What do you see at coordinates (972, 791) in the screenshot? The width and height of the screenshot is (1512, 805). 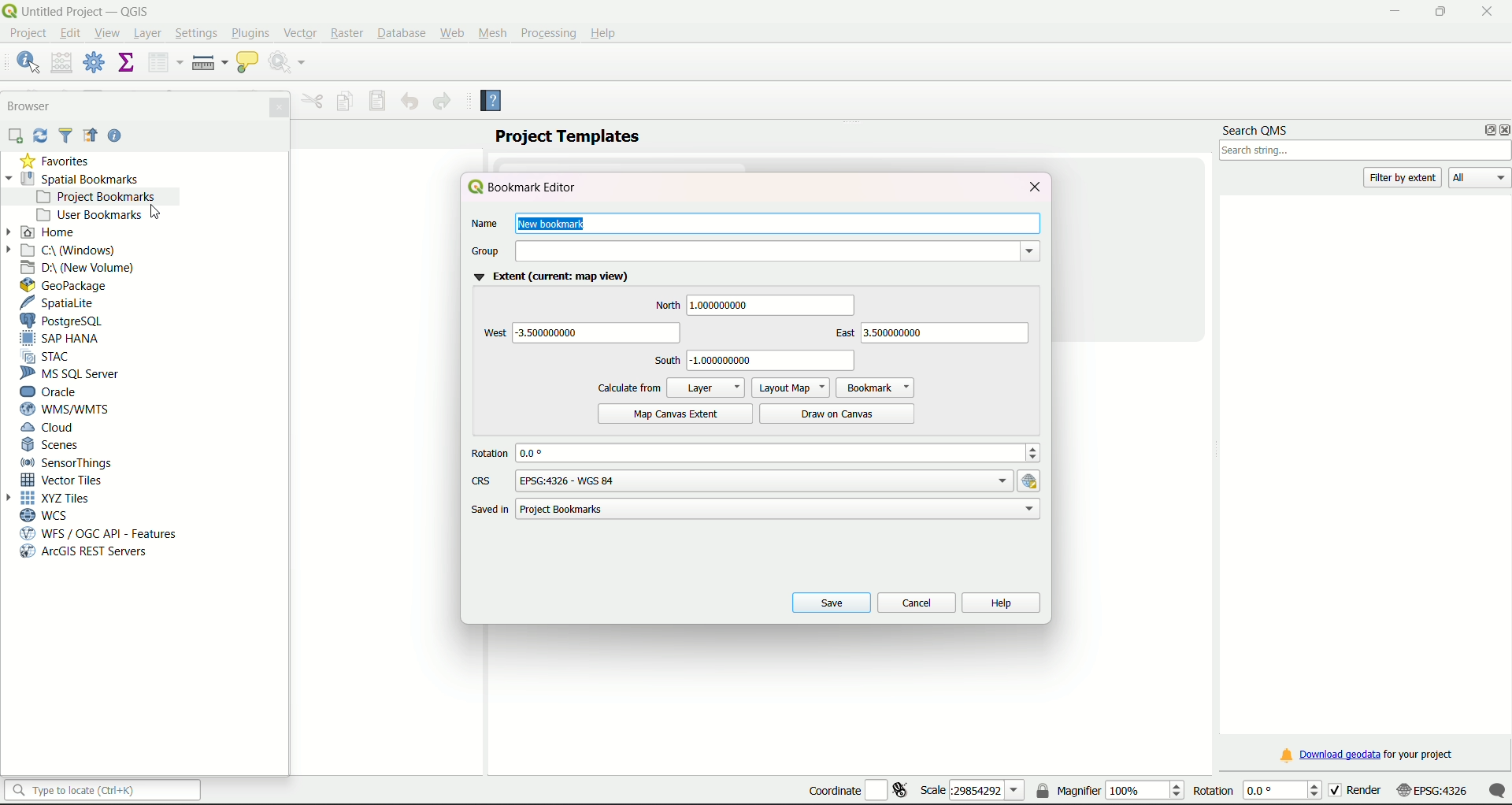 I see `scale` at bounding box center [972, 791].